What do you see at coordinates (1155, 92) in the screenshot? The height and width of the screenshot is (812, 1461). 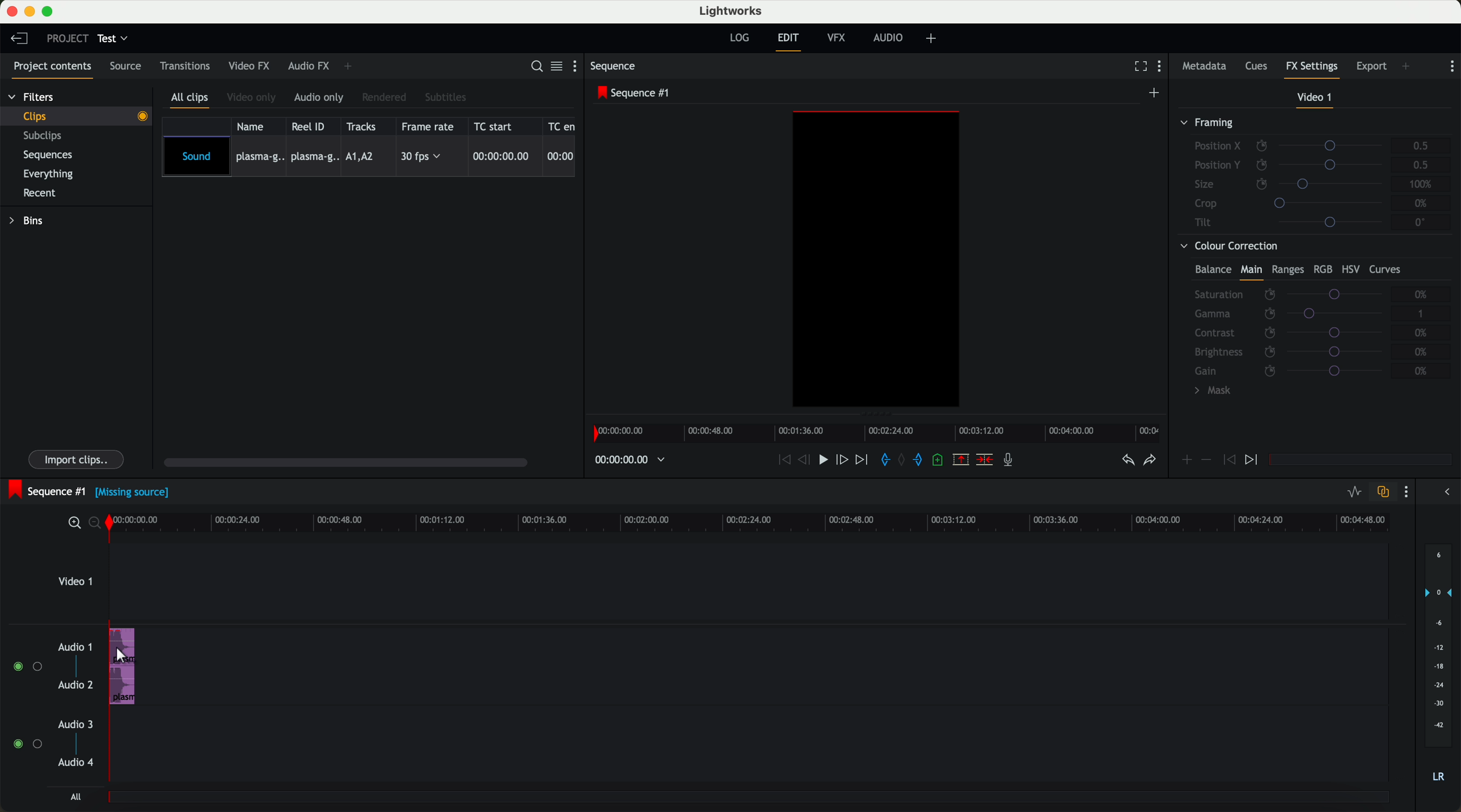 I see `create a new sequence` at bounding box center [1155, 92].